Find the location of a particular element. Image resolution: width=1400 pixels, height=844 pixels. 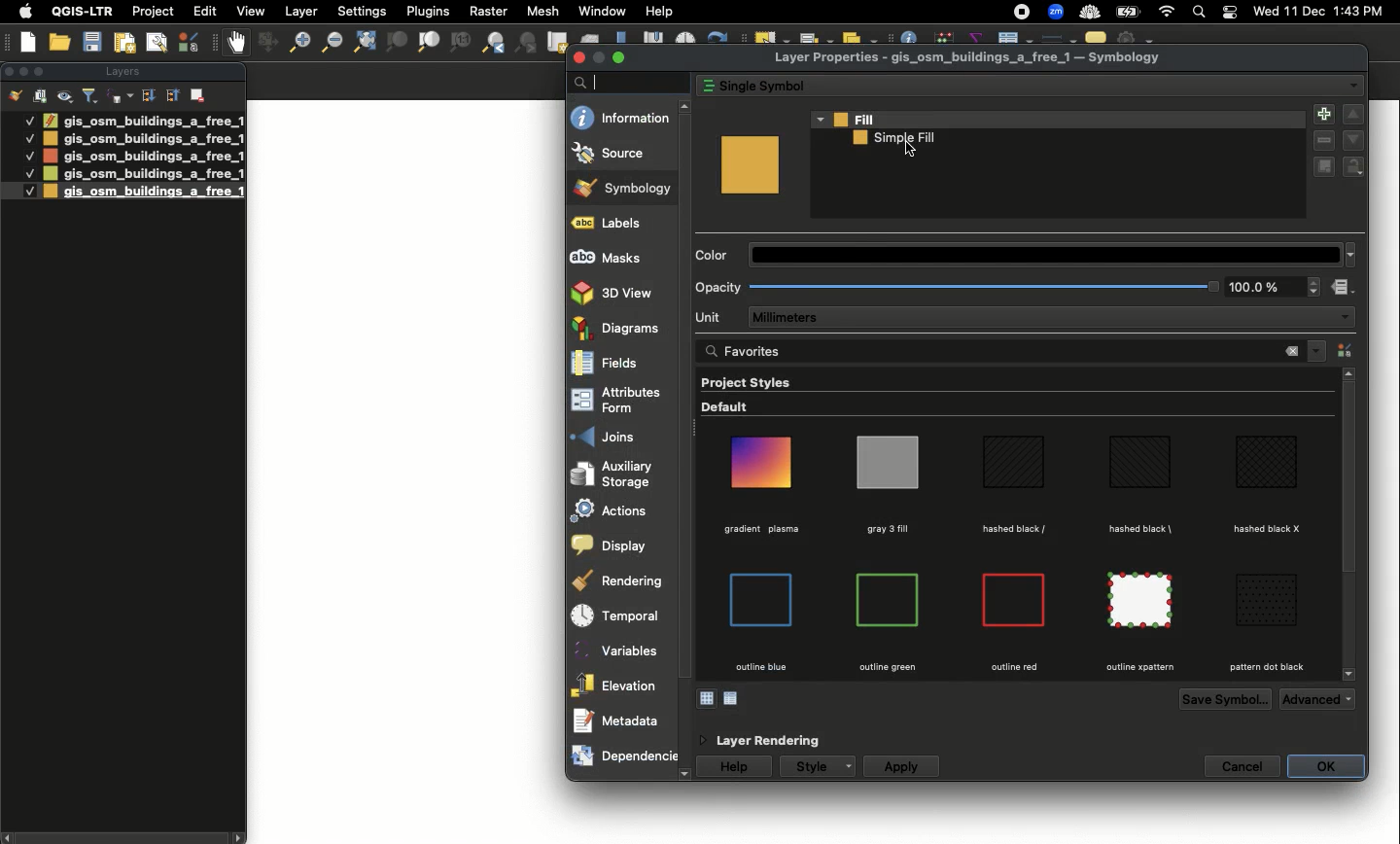

vertical Scrollbar is located at coordinates (687, 440).